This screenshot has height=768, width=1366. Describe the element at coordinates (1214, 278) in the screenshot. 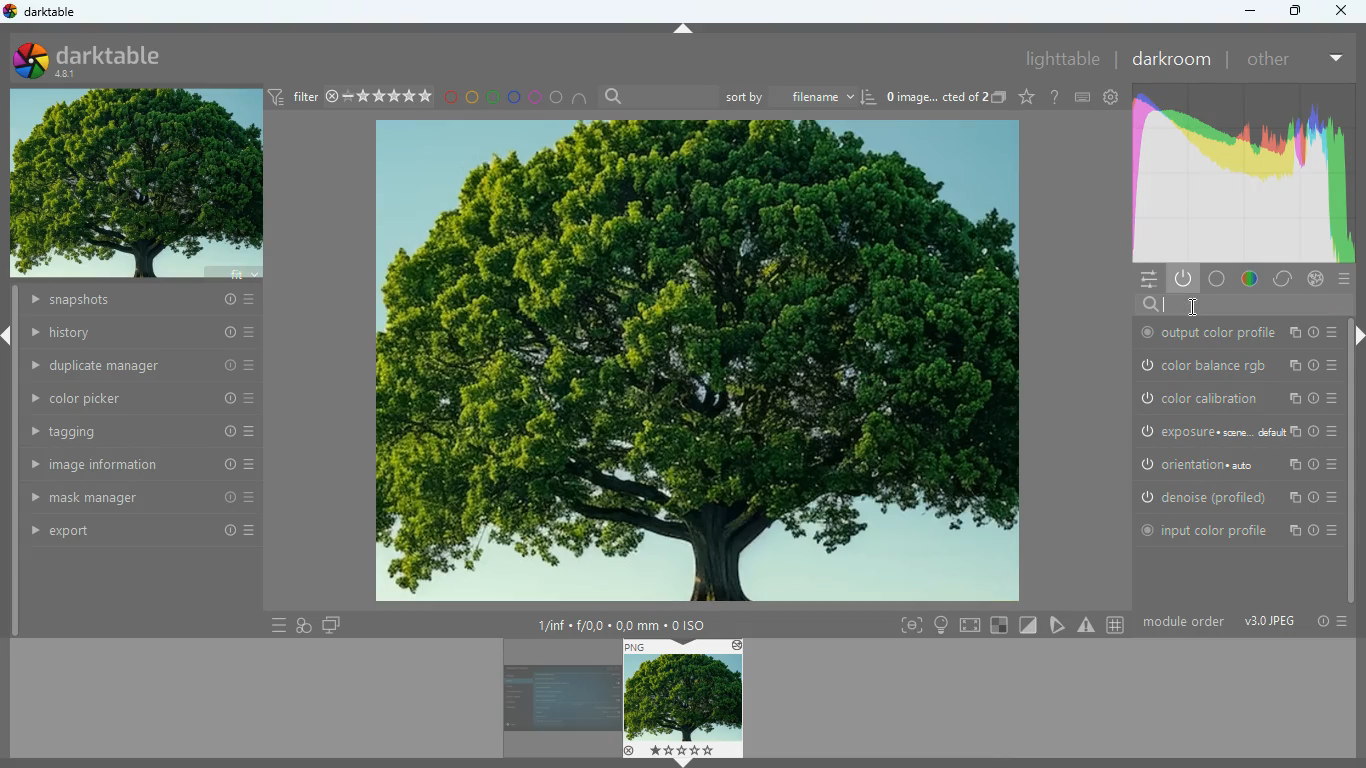

I see `base` at that location.